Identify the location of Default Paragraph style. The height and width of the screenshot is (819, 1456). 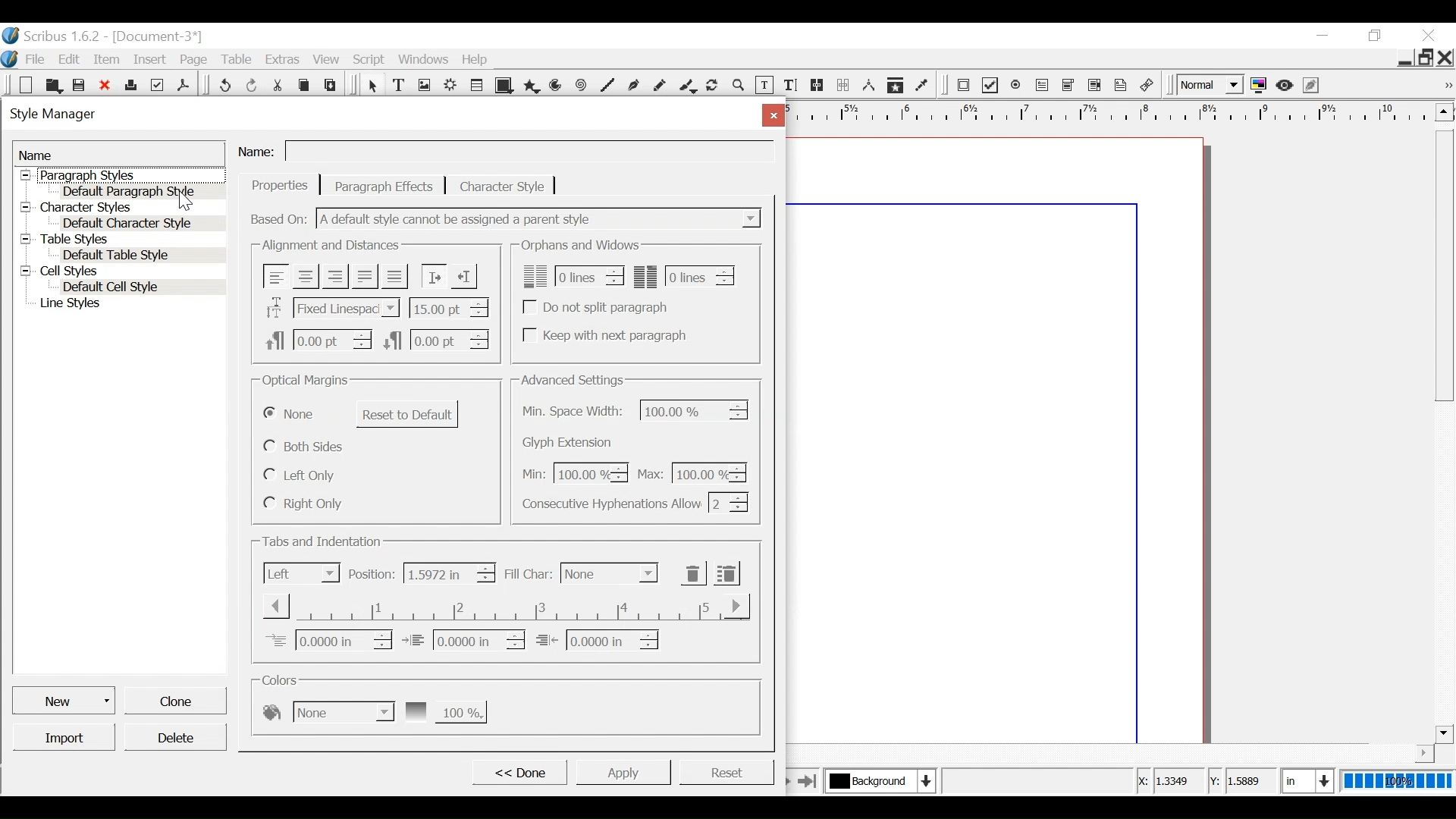
(143, 191).